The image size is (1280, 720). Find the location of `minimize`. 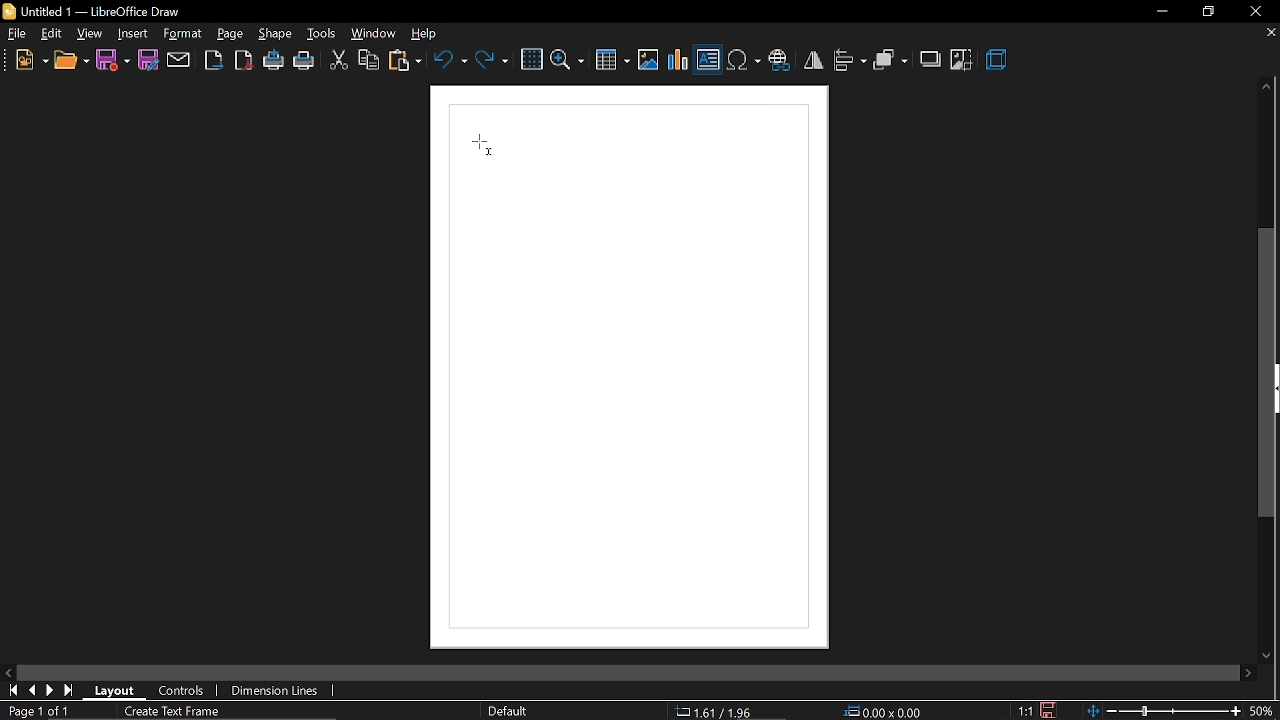

minimize is located at coordinates (1160, 11).